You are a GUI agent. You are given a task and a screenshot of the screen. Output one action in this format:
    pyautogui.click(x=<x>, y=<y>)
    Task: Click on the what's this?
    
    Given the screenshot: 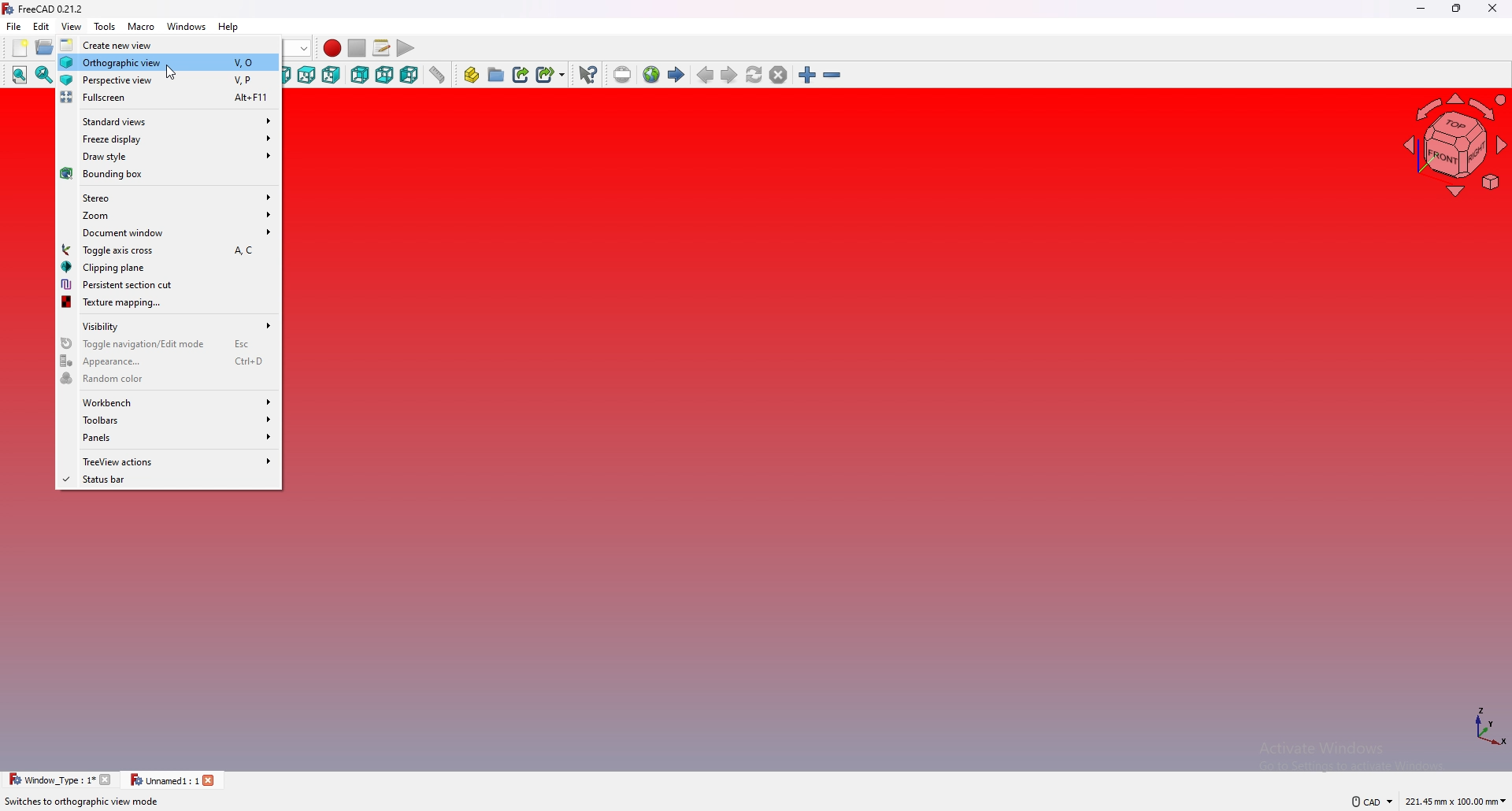 What is the action you would take?
    pyautogui.click(x=587, y=74)
    